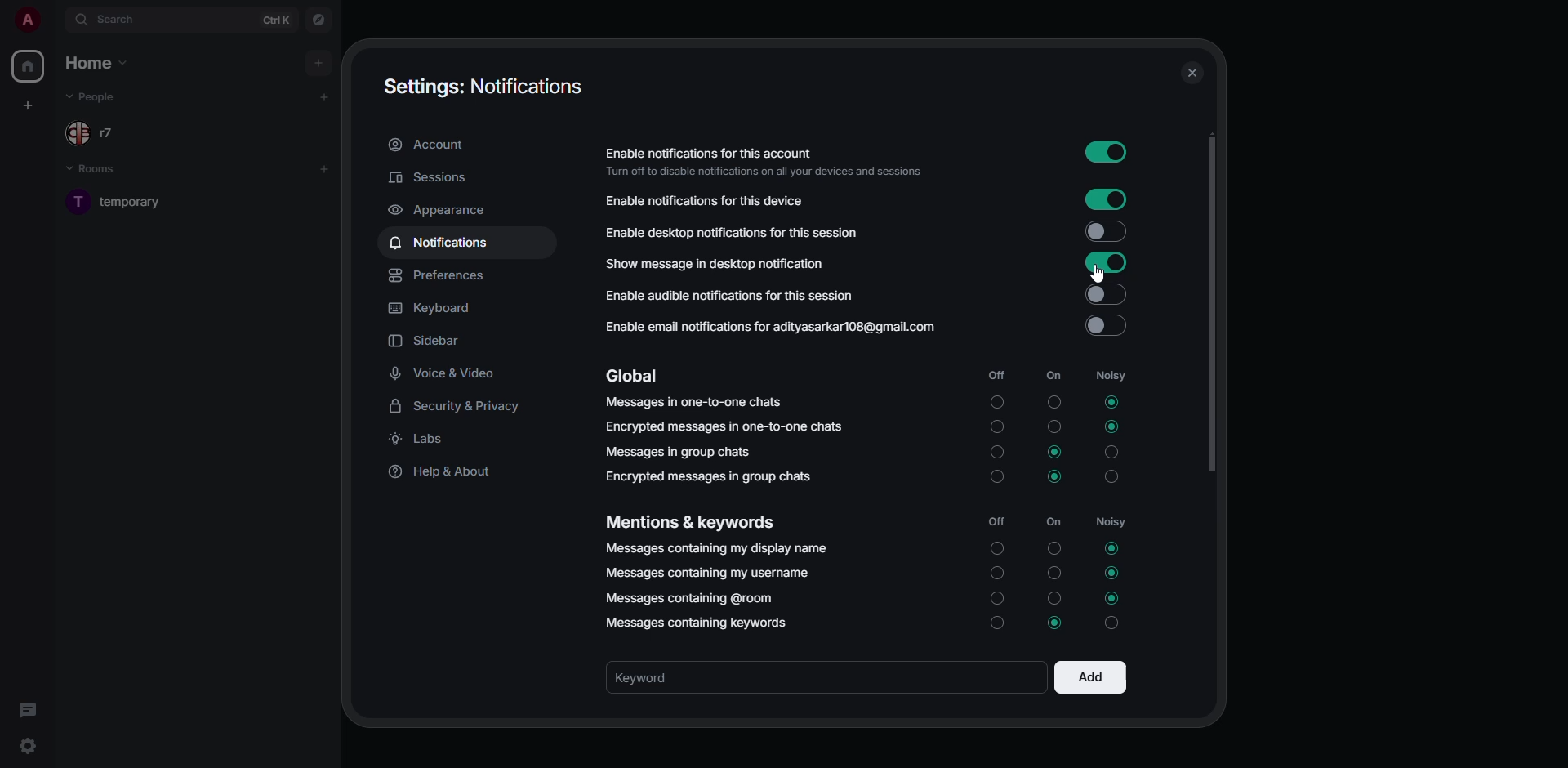  What do you see at coordinates (1055, 453) in the screenshot?
I see `selected` at bounding box center [1055, 453].